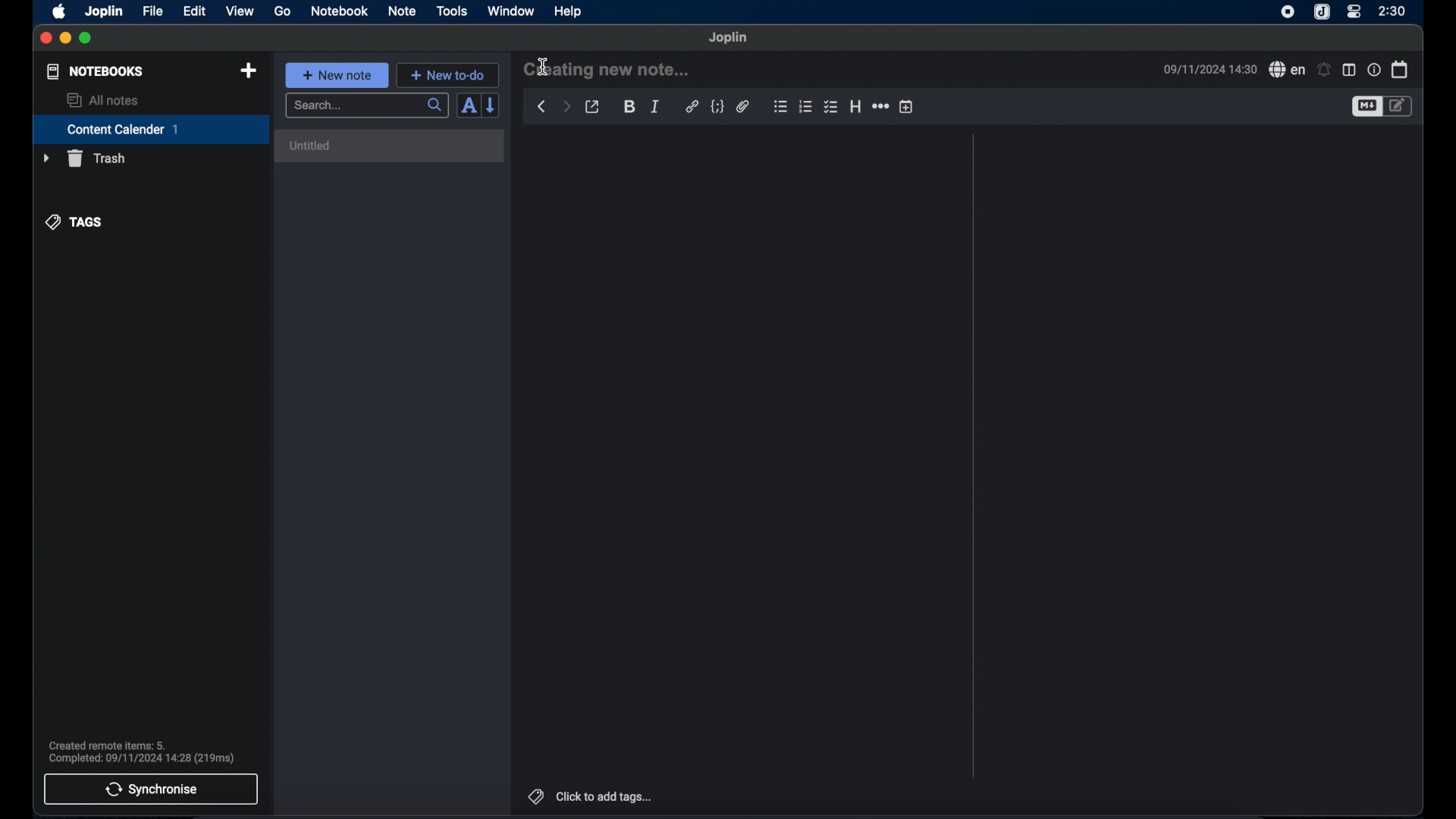 The width and height of the screenshot is (1456, 819). What do you see at coordinates (154, 11) in the screenshot?
I see `file` at bounding box center [154, 11].